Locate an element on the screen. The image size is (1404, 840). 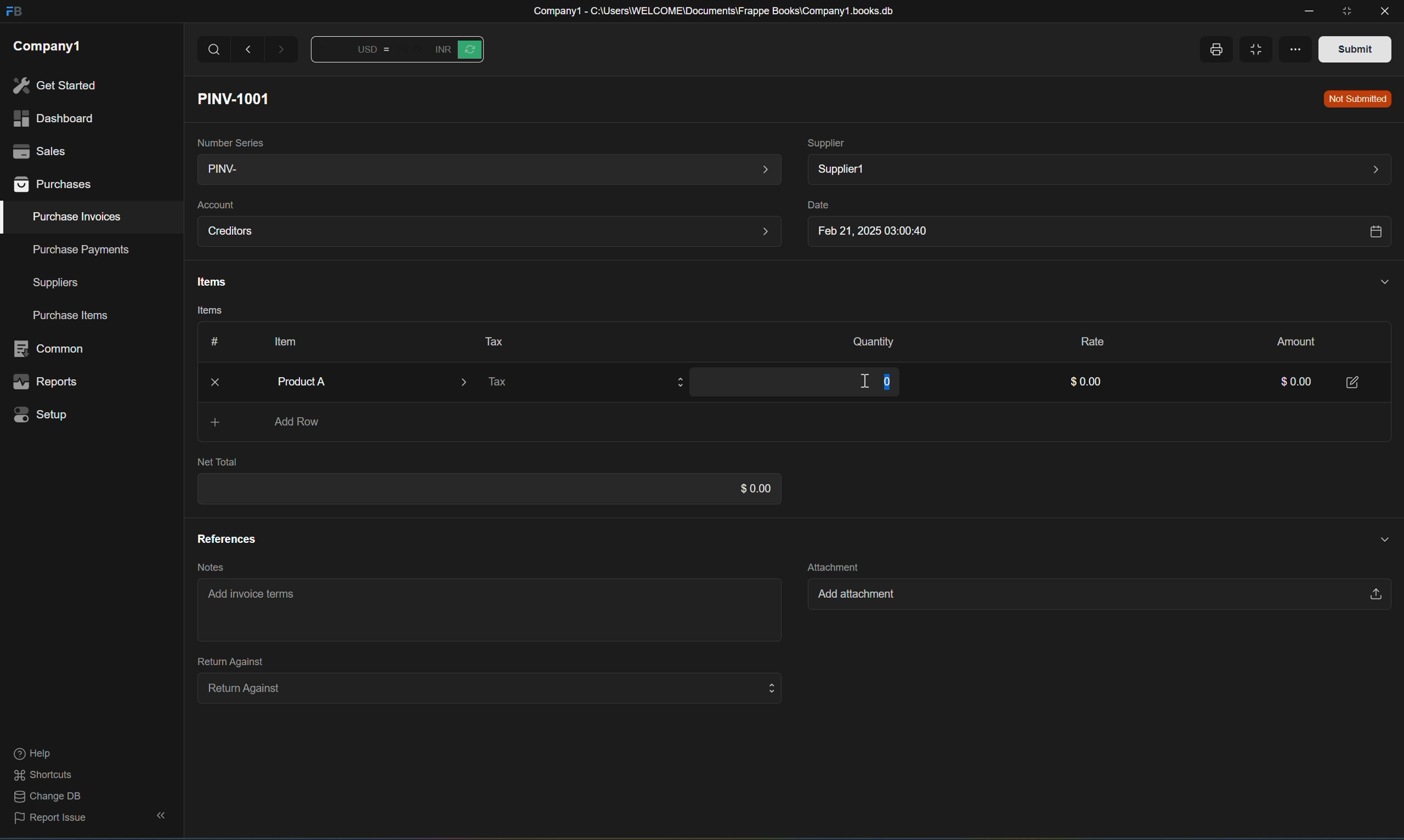
Notes is located at coordinates (207, 567).